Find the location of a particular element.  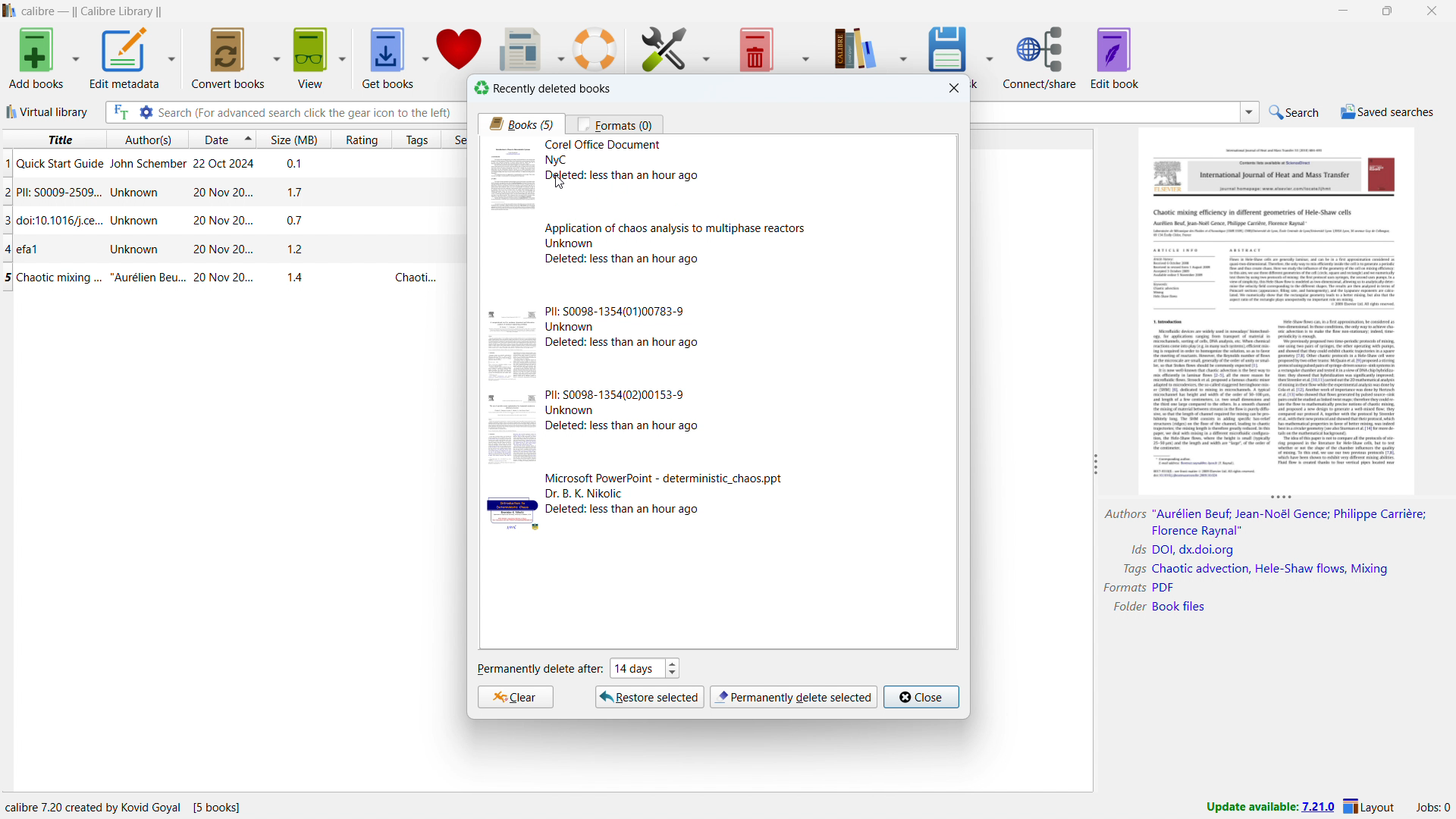

add books options is located at coordinates (75, 58).